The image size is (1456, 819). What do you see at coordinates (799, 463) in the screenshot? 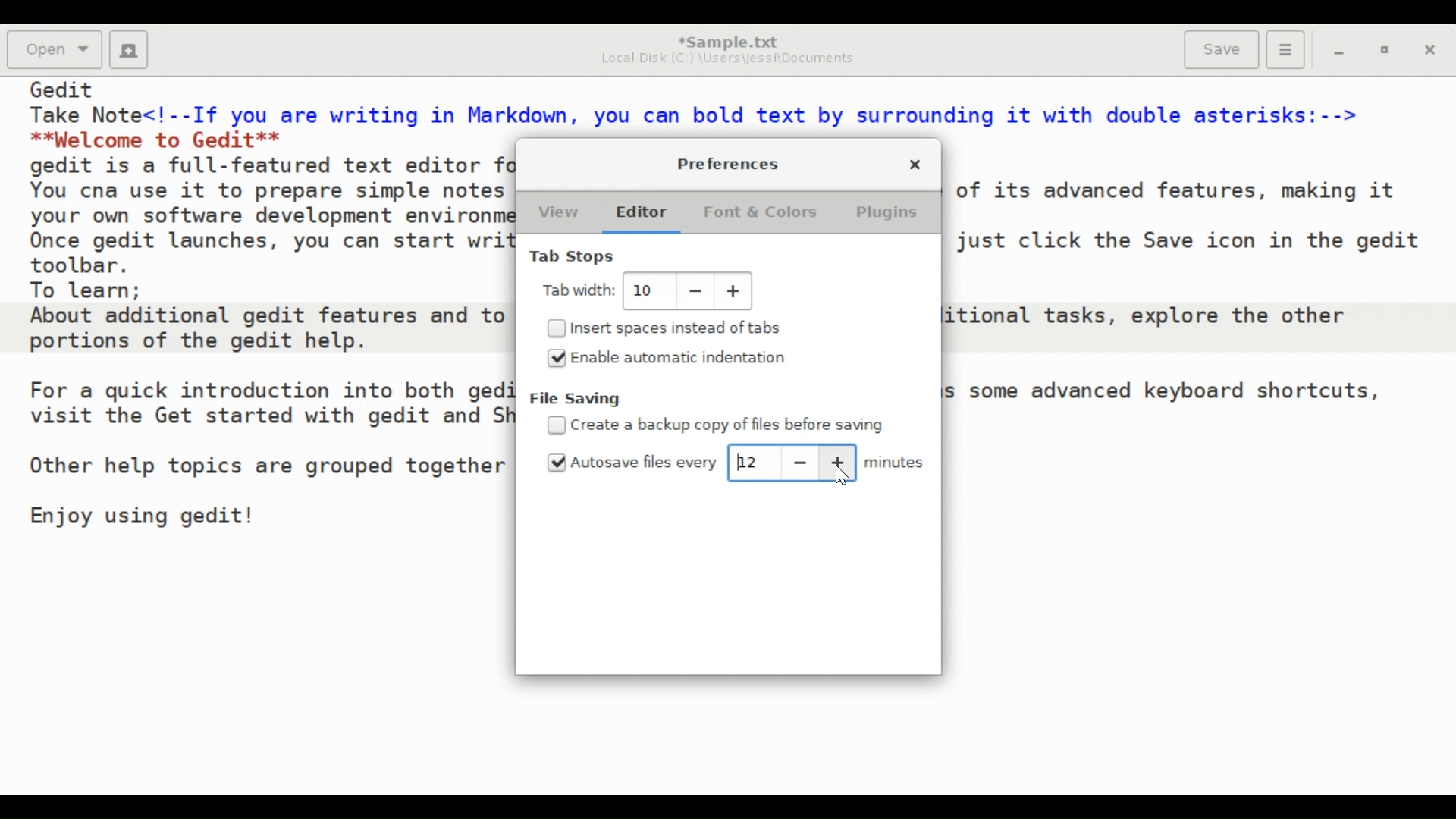
I see `decrease` at bounding box center [799, 463].